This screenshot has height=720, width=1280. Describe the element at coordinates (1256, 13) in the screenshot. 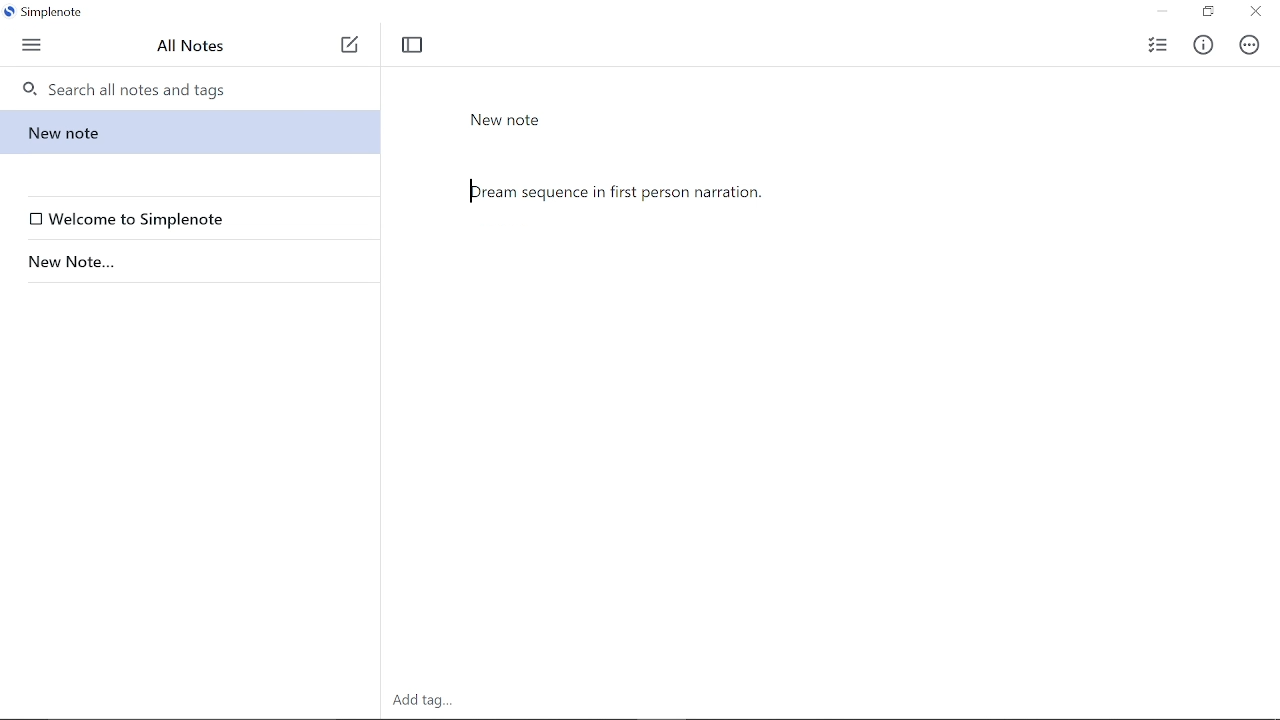

I see `Close` at that location.